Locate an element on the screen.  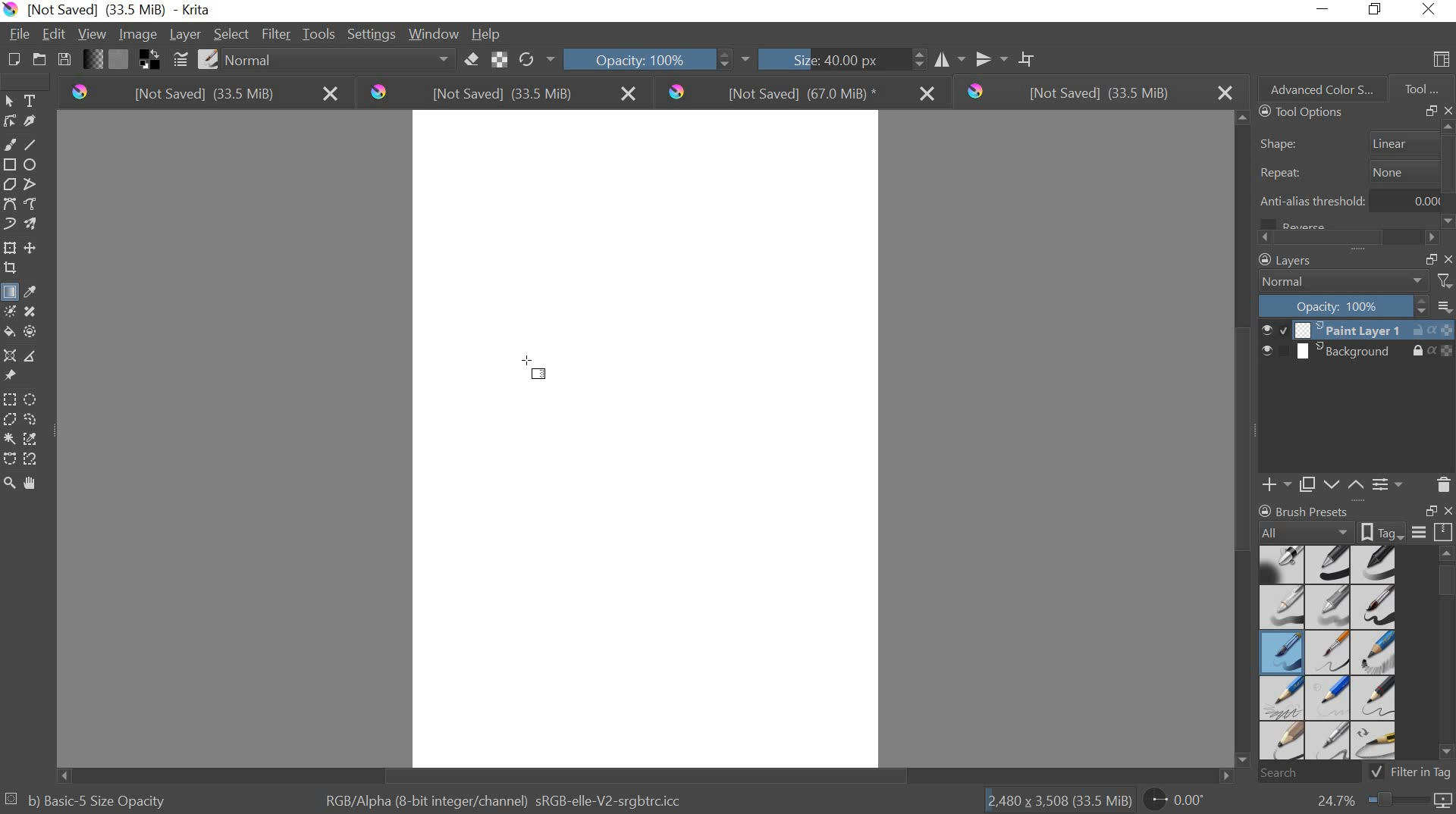
polygon selection is located at coordinates (9, 420).